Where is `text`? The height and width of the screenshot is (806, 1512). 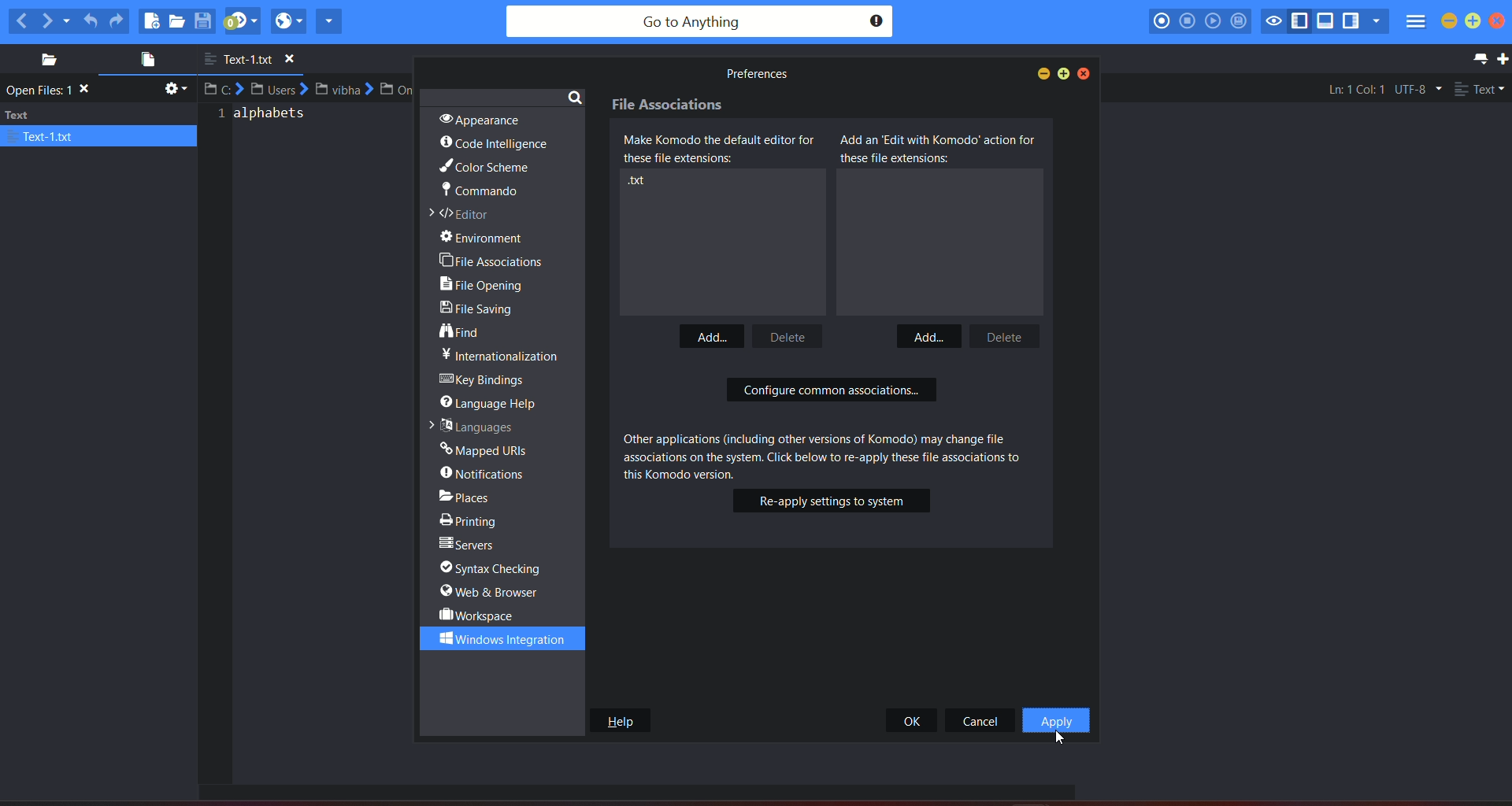 text is located at coordinates (754, 74).